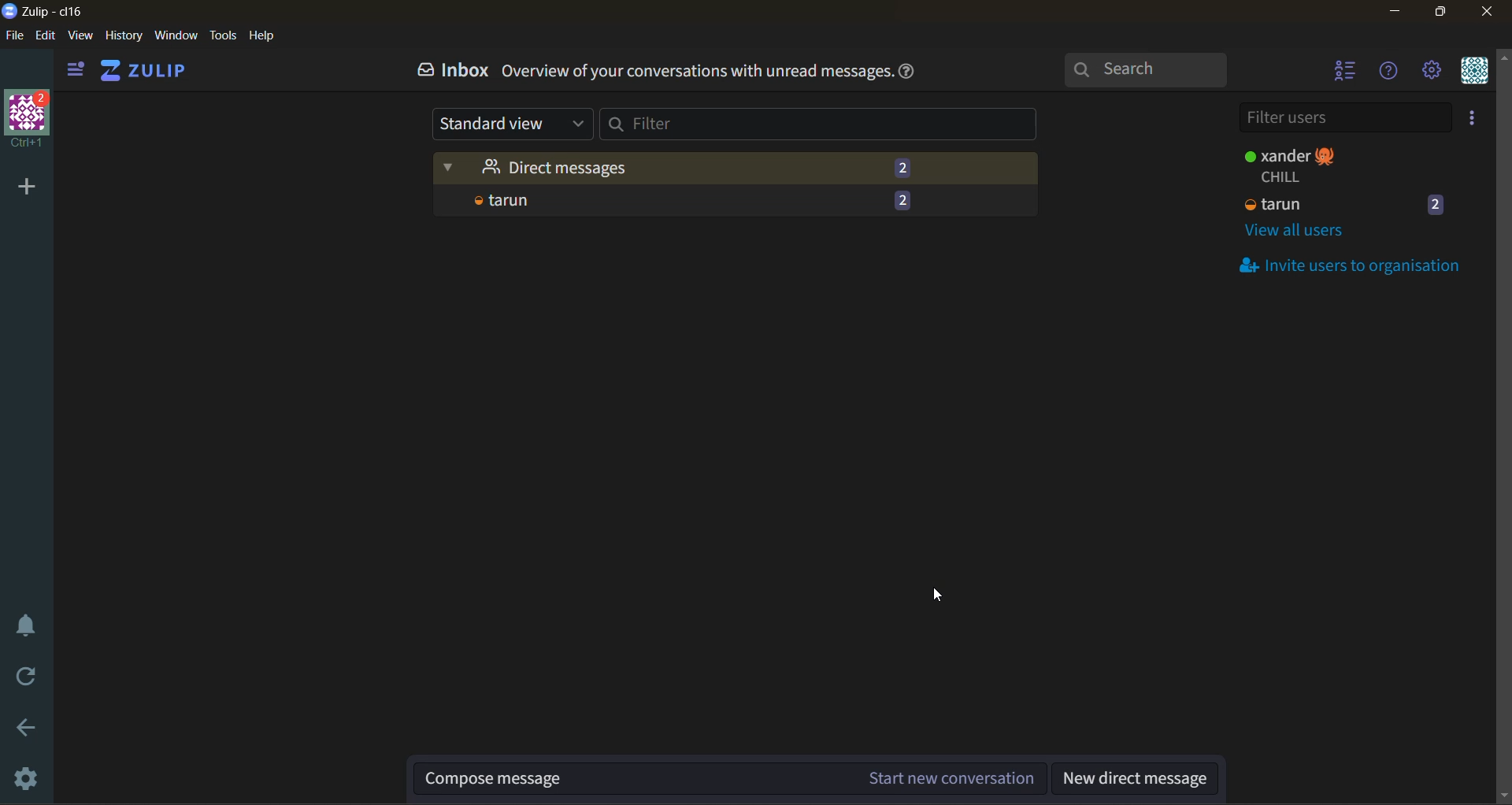 The image size is (1512, 805). Describe the element at coordinates (1136, 777) in the screenshot. I see `new direct message` at that location.